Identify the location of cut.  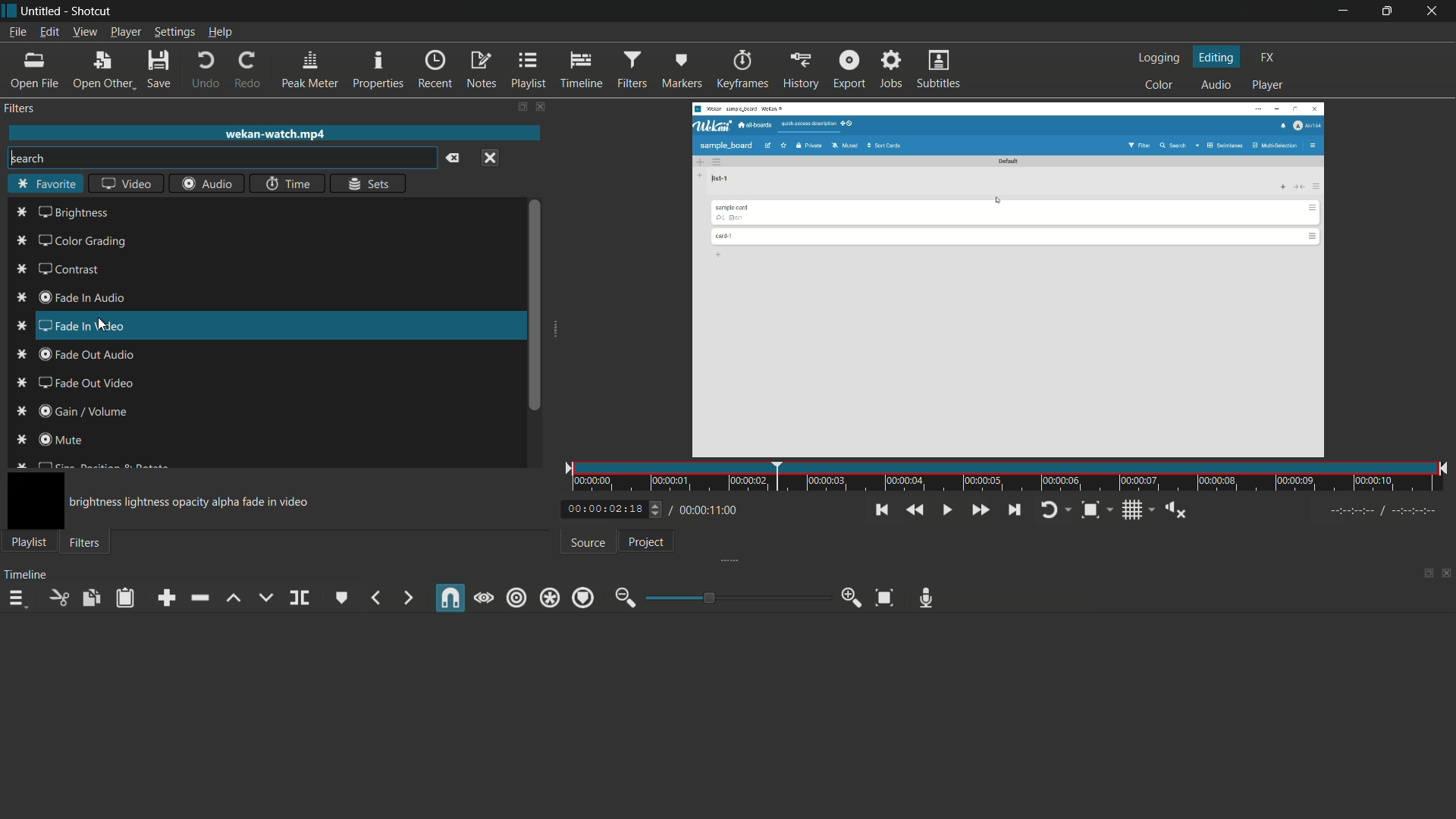
(60, 598).